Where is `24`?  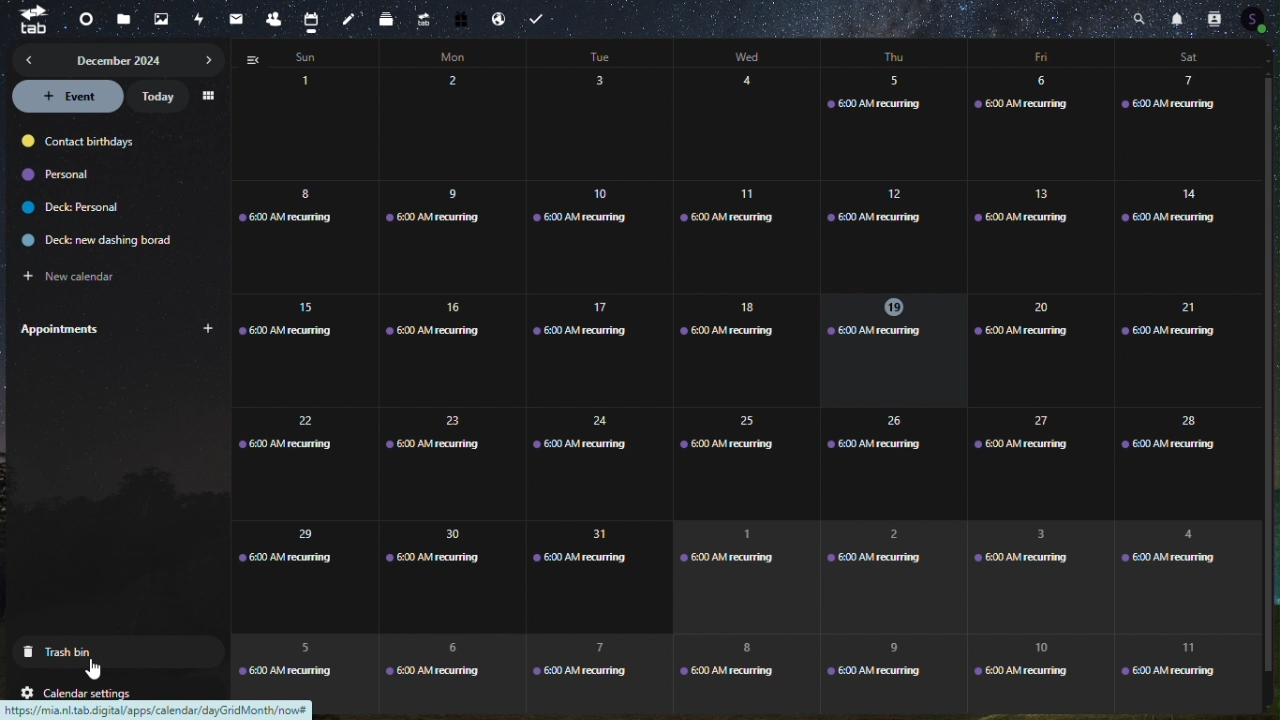
24 is located at coordinates (590, 460).